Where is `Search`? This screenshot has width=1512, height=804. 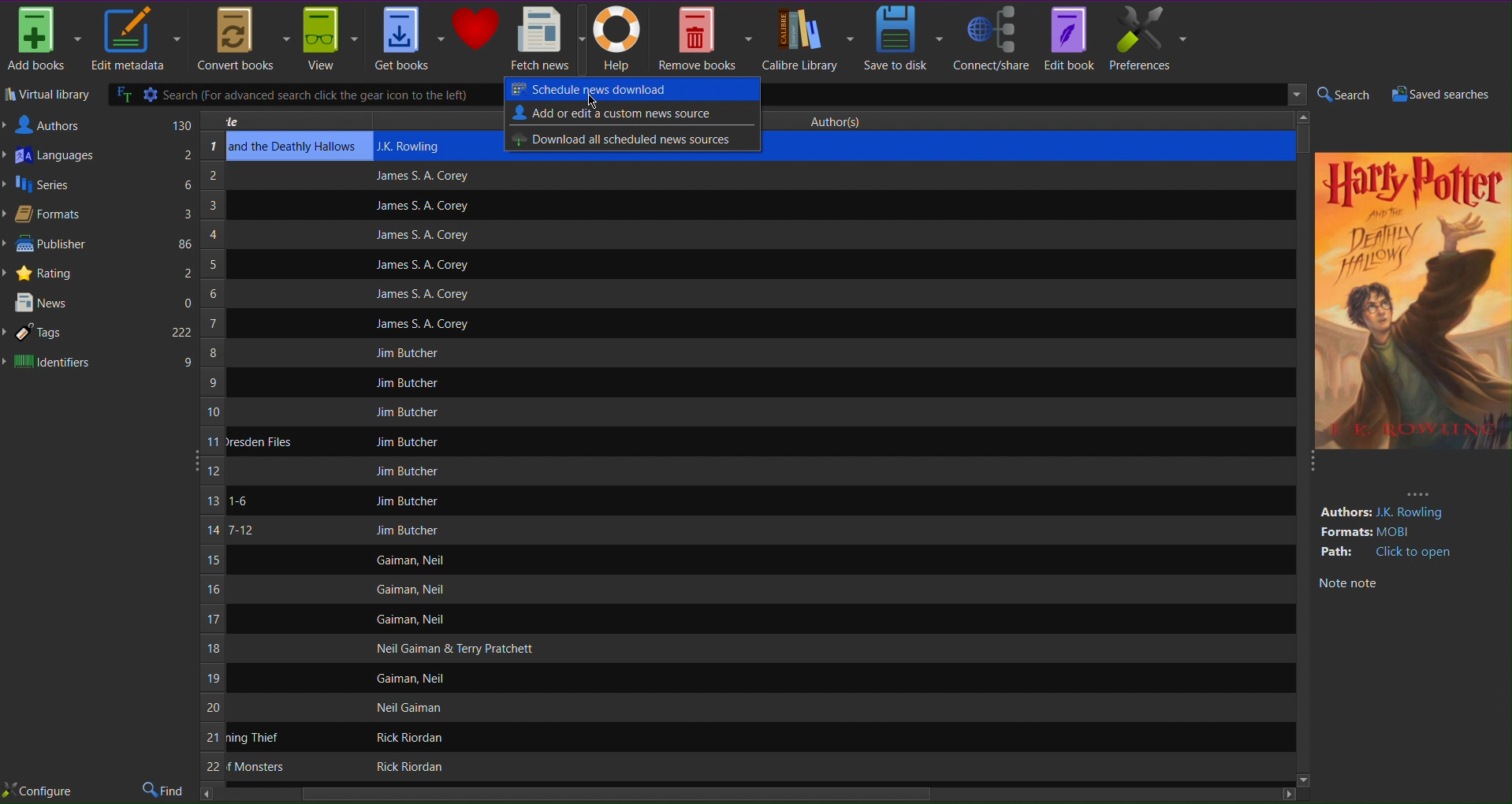
Search is located at coordinates (1343, 95).